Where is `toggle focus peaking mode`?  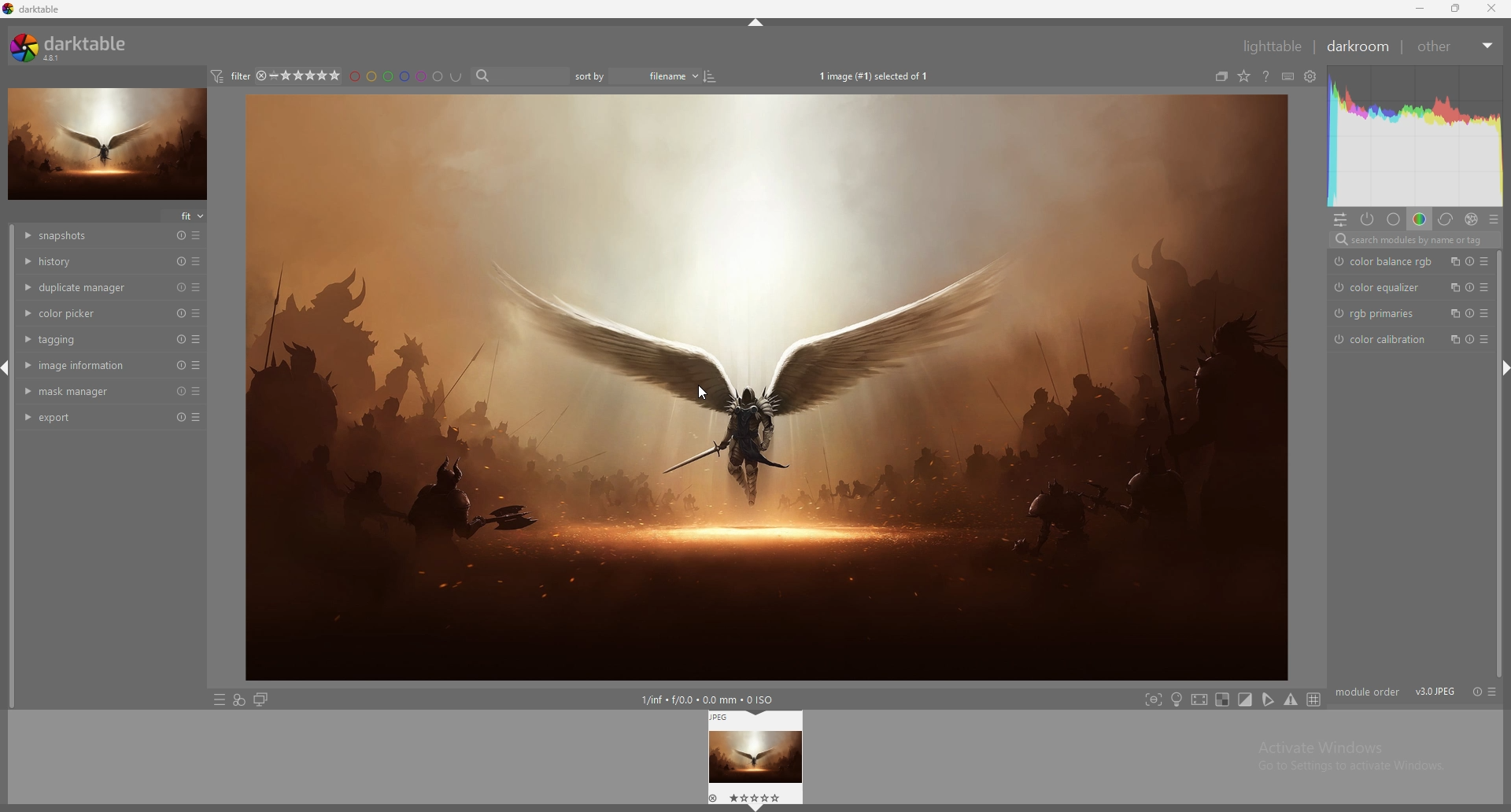 toggle focus peaking mode is located at coordinates (1154, 699).